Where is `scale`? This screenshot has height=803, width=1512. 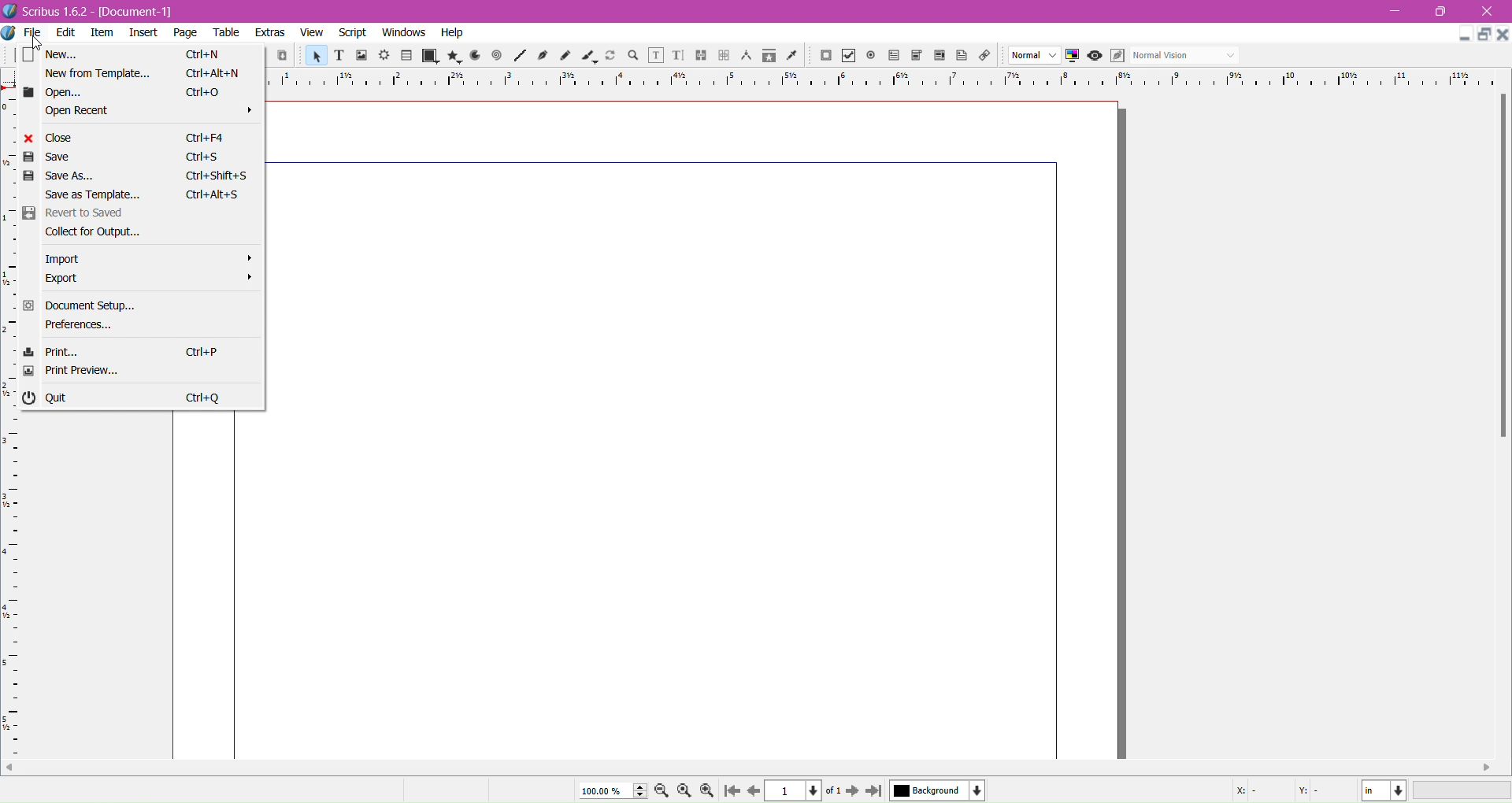
scale is located at coordinates (9, 422).